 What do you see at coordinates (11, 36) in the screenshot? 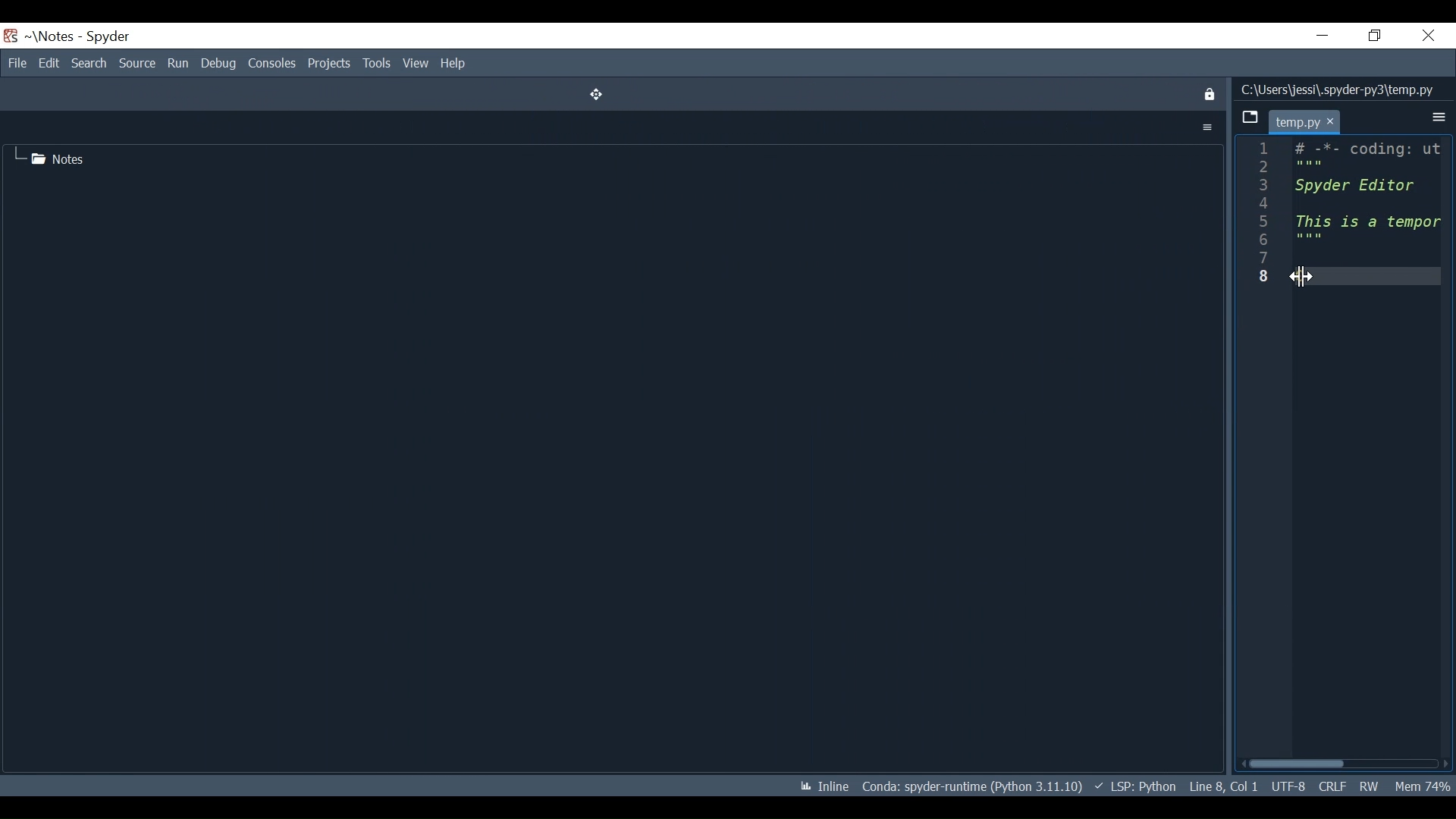
I see `Spyder Icon` at bounding box center [11, 36].